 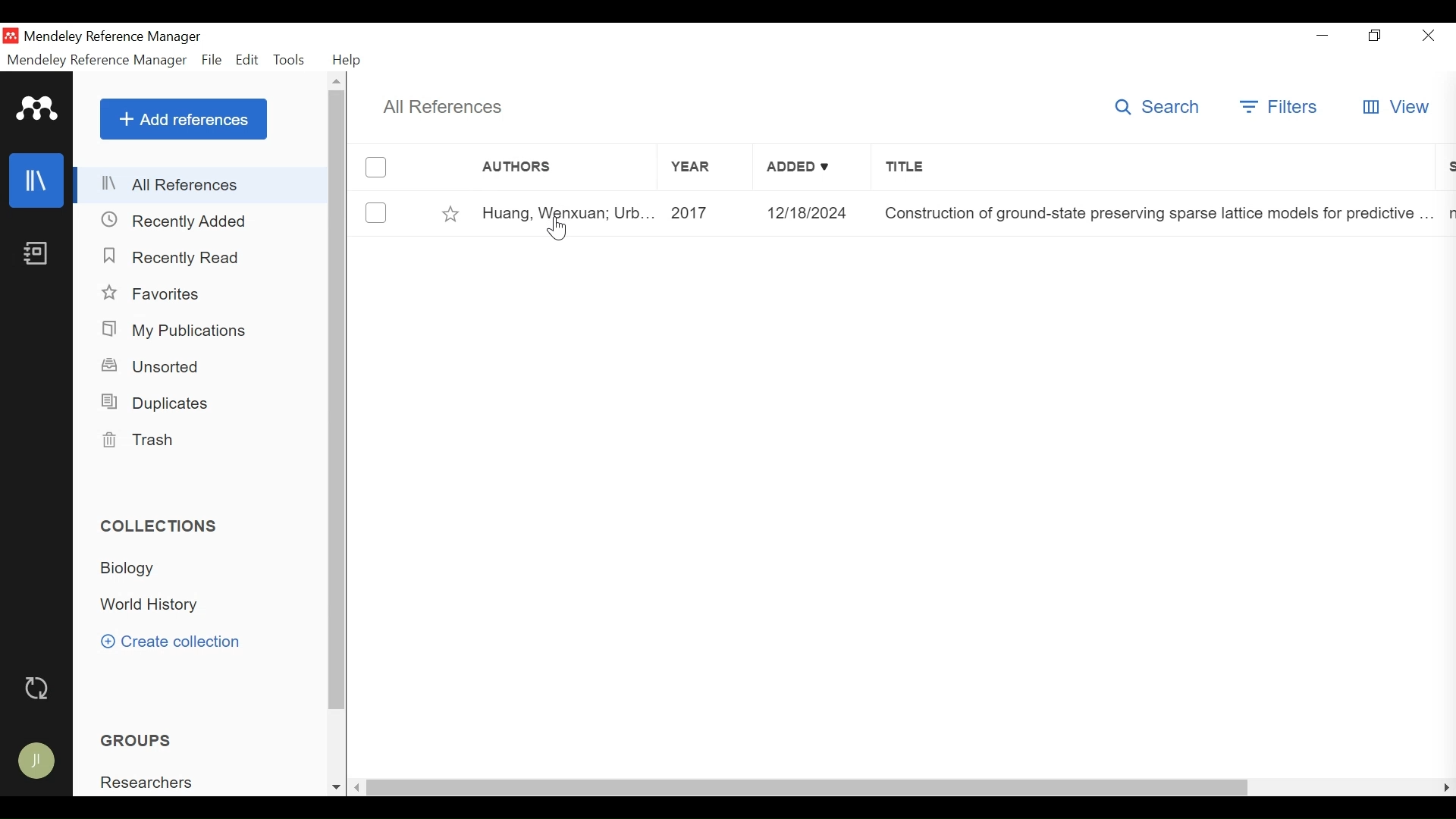 I want to click on Added, so click(x=813, y=168).